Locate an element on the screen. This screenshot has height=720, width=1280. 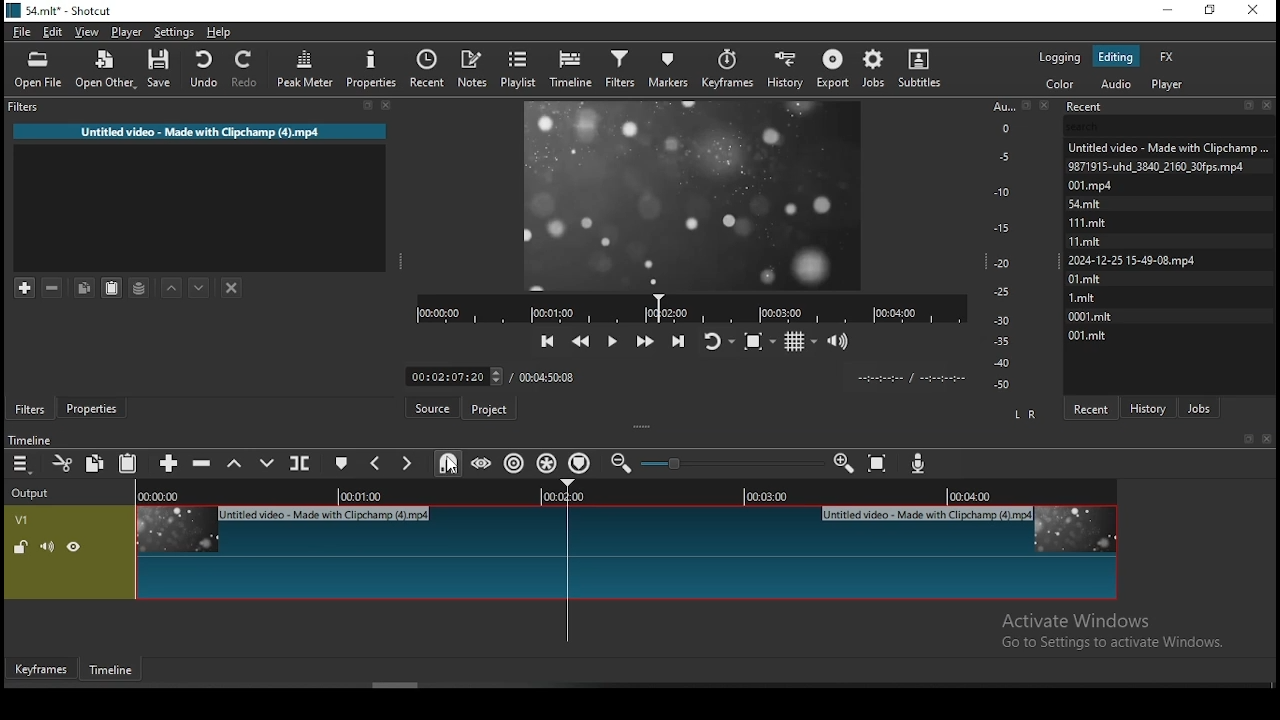
zoom timeline out is located at coordinates (842, 464).